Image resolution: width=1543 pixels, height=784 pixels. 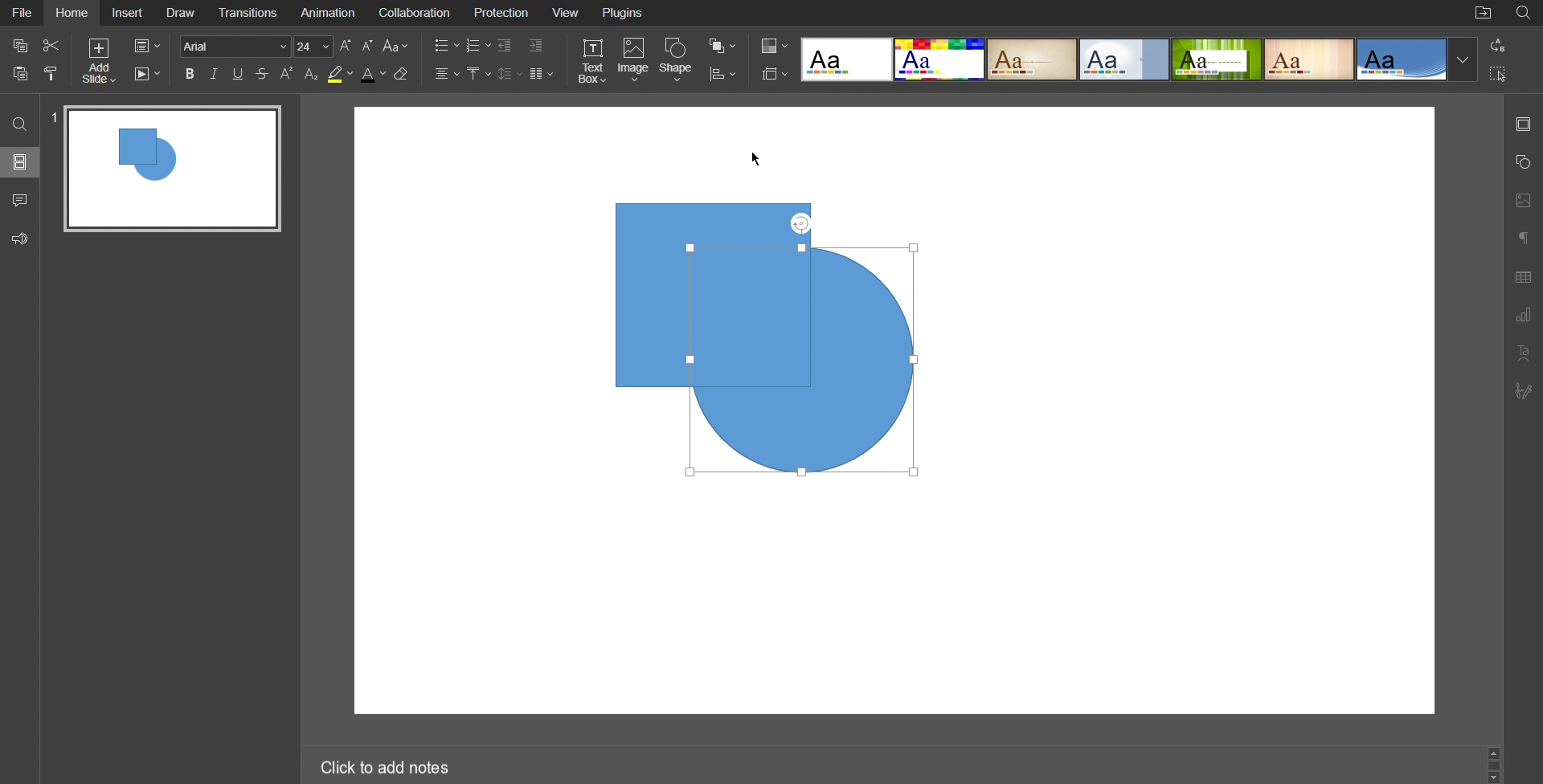 What do you see at coordinates (620, 13) in the screenshot?
I see `Plugins` at bounding box center [620, 13].